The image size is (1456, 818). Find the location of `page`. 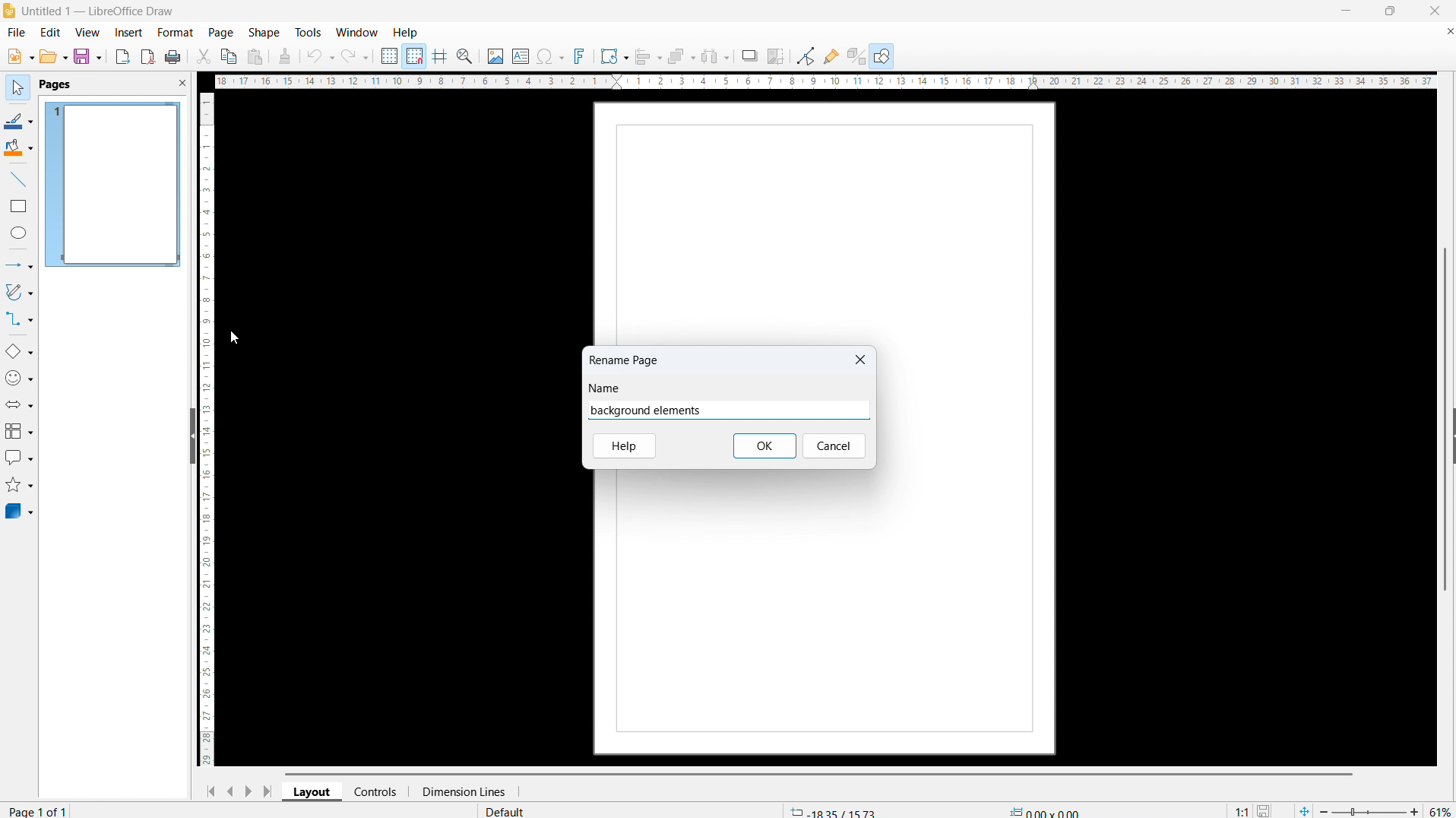

page is located at coordinates (221, 33).